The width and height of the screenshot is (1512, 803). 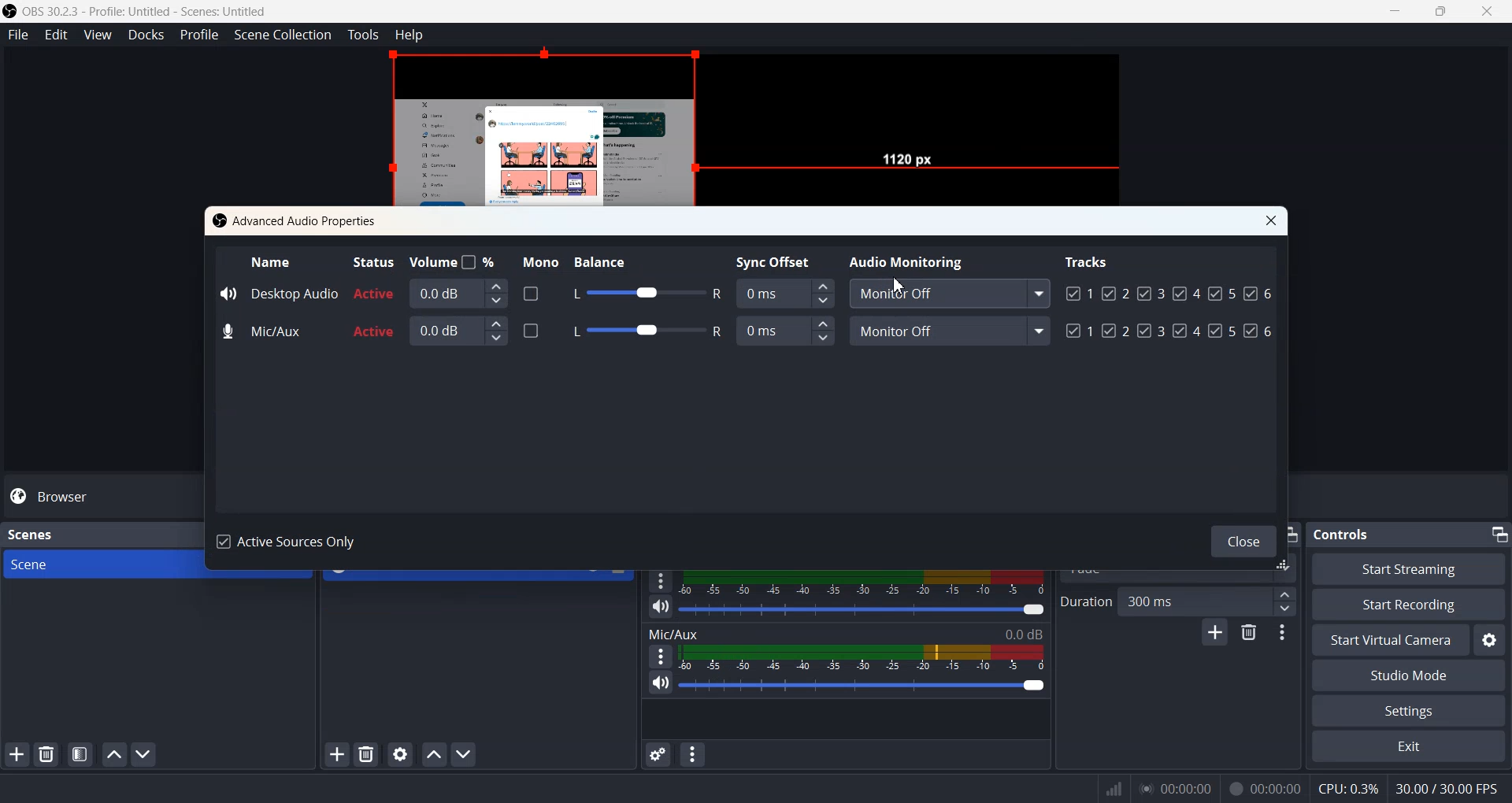 What do you see at coordinates (531, 329) in the screenshot?
I see `Enabled/ disable Mono` at bounding box center [531, 329].